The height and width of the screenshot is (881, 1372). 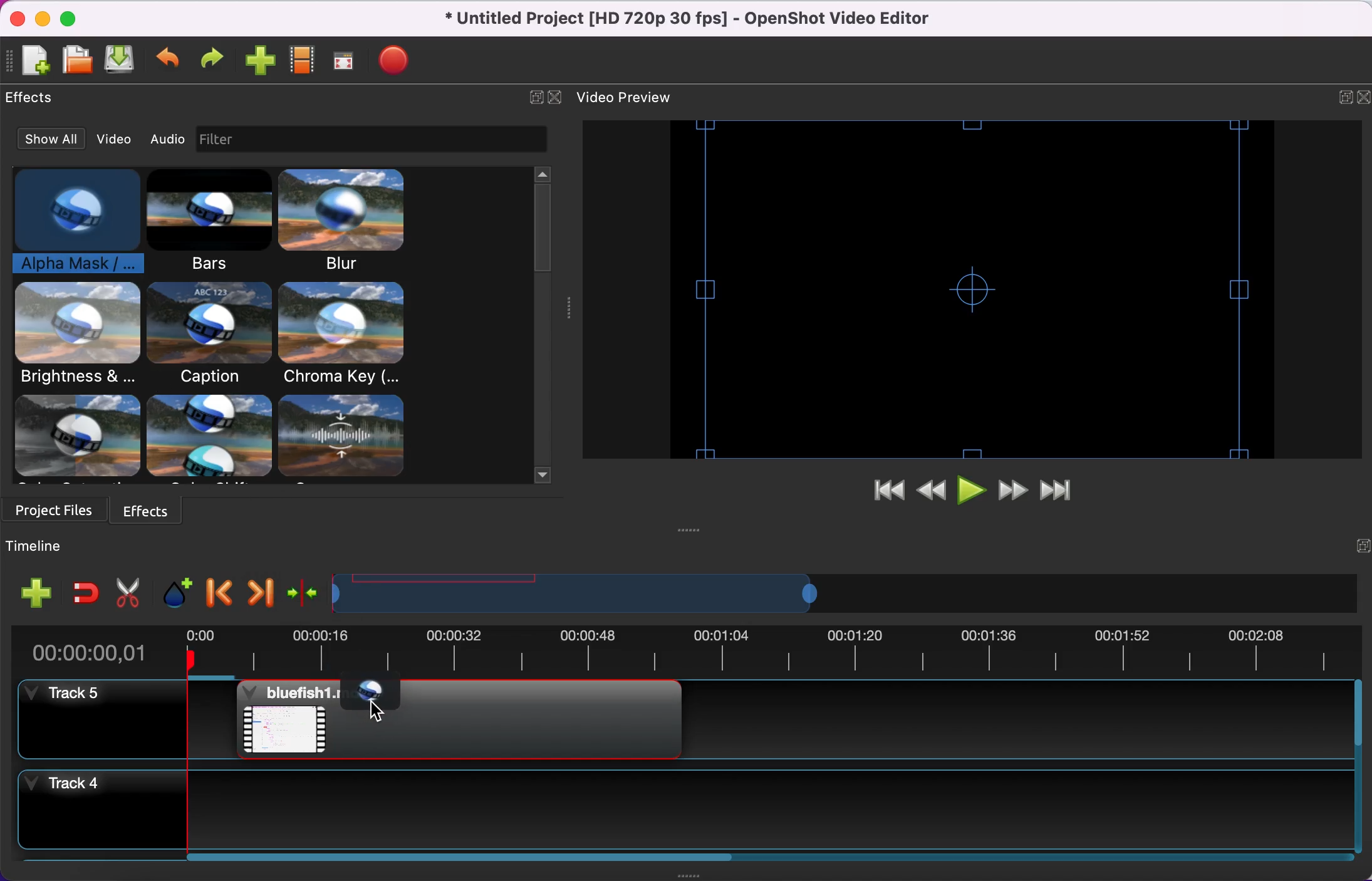 I want to click on track 4, so click(x=694, y=813).